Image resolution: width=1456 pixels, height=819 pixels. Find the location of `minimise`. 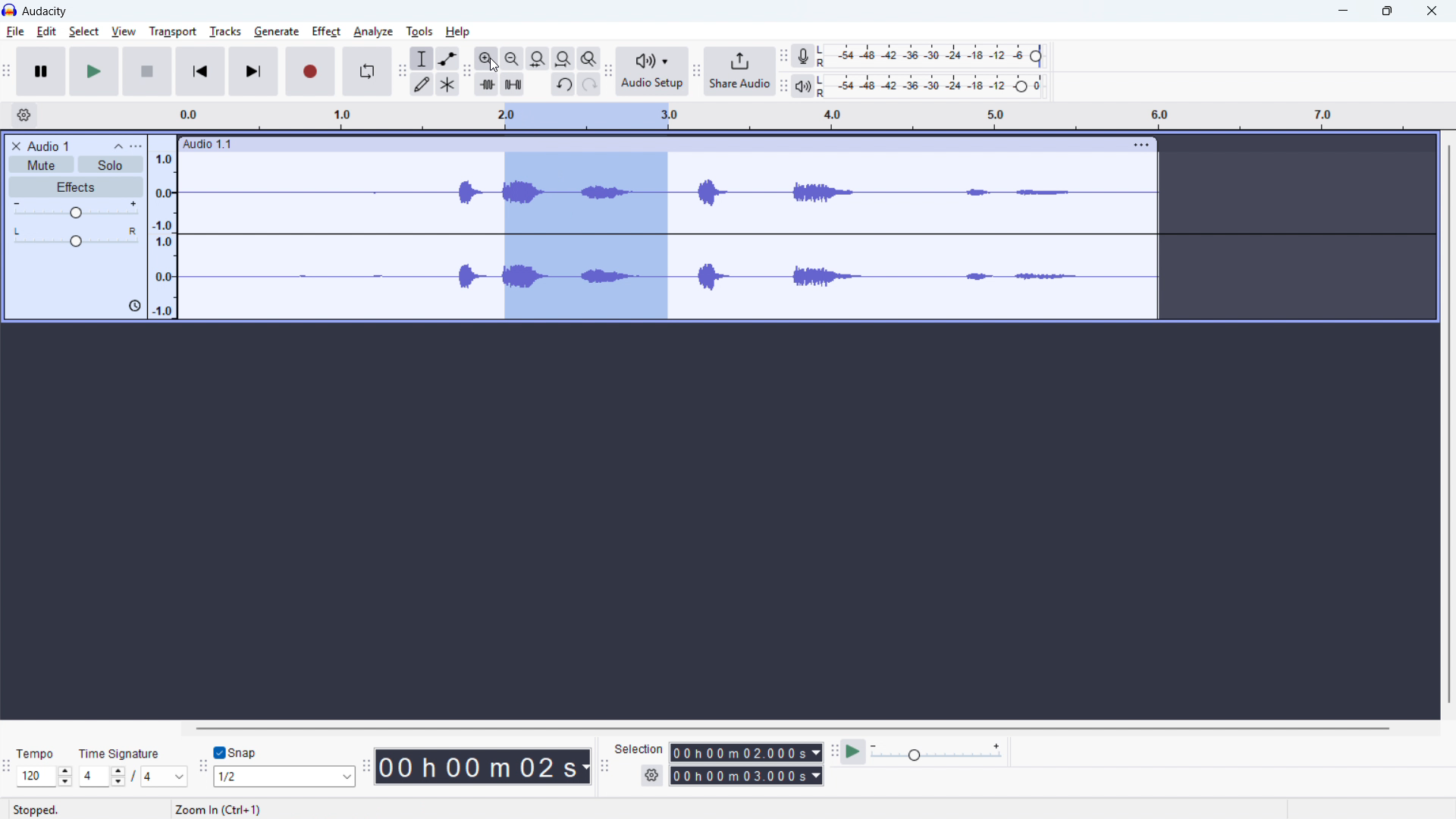

minimise is located at coordinates (1345, 12).